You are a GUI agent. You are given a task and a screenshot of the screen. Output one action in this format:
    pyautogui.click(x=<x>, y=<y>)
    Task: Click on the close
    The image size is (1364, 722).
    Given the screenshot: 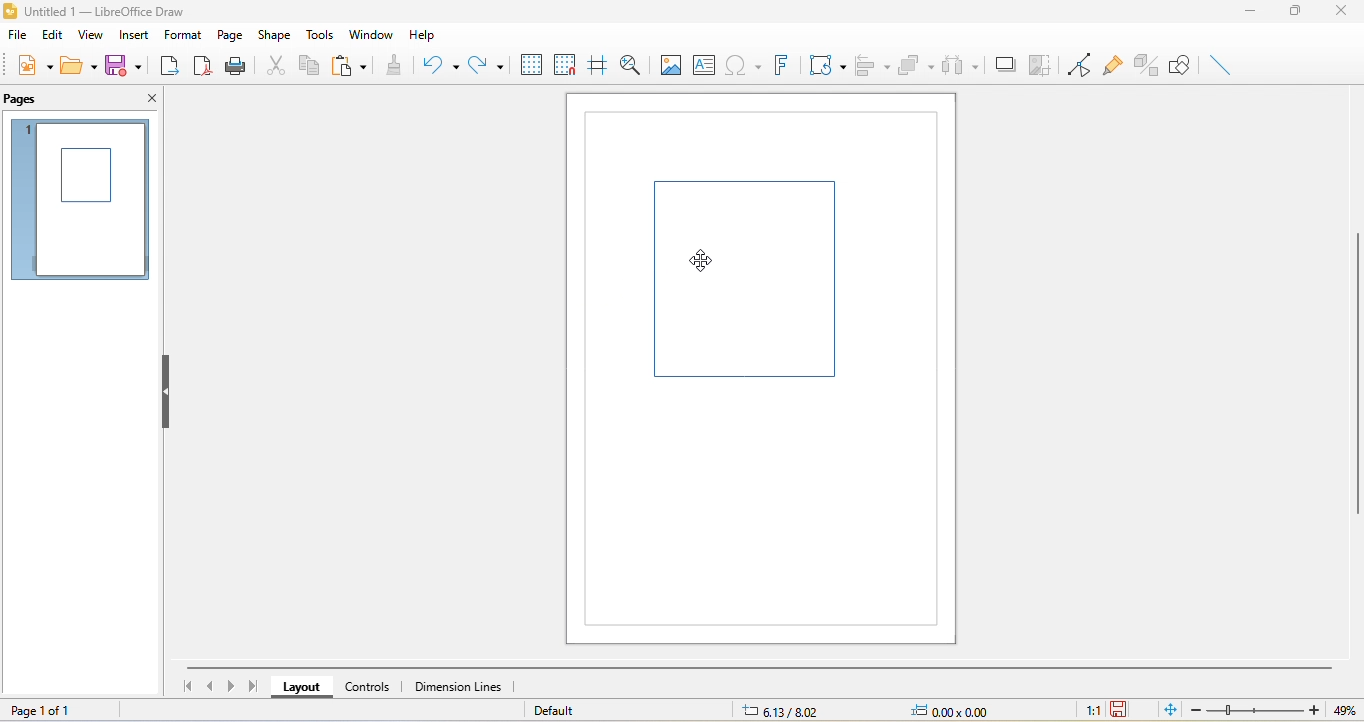 What is the action you would take?
    pyautogui.click(x=1342, y=16)
    